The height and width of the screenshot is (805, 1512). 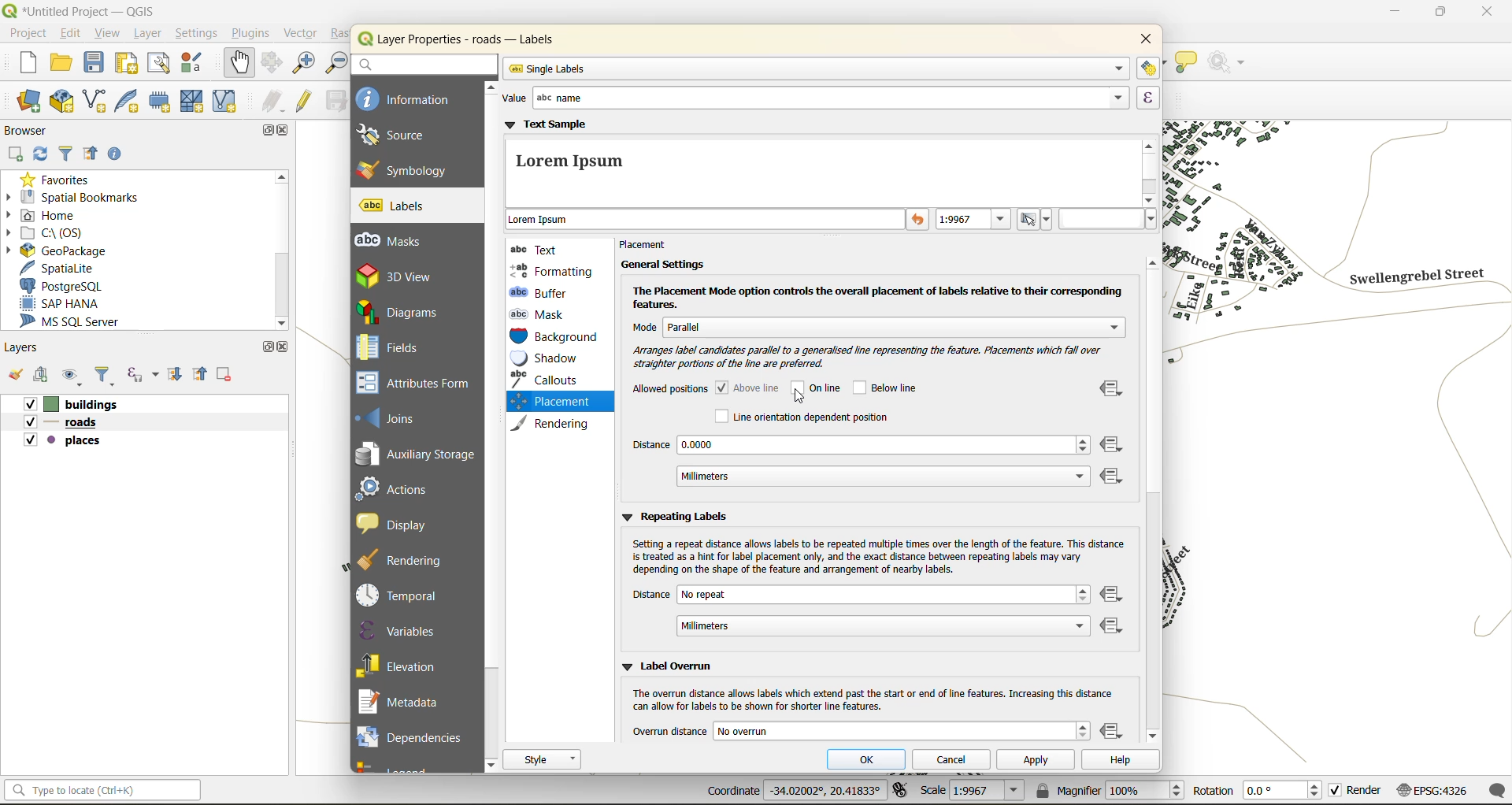 I want to click on single labels, so click(x=816, y=69).